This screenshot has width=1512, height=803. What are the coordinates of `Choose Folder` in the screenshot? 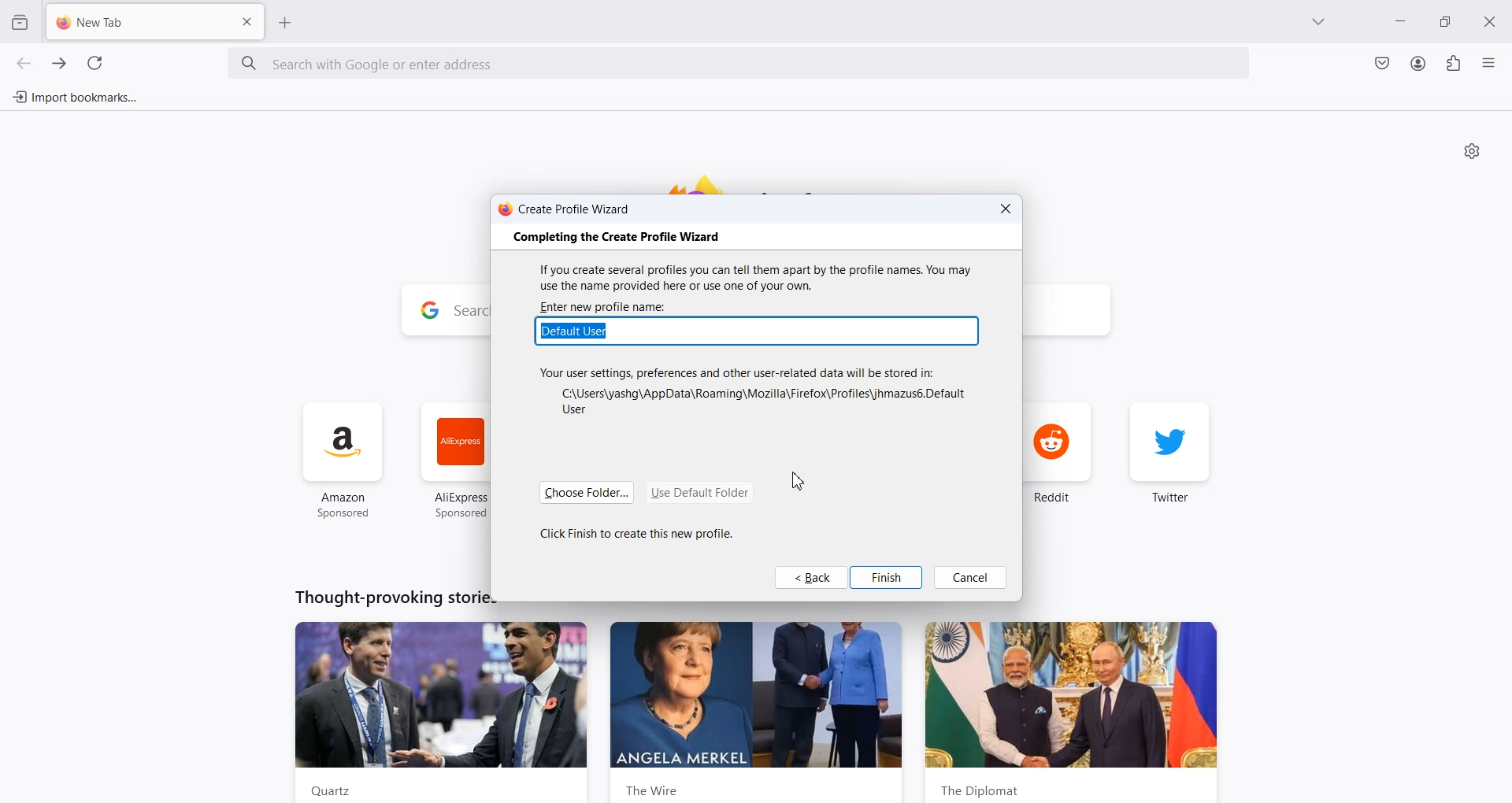 It's located at (586, 492).